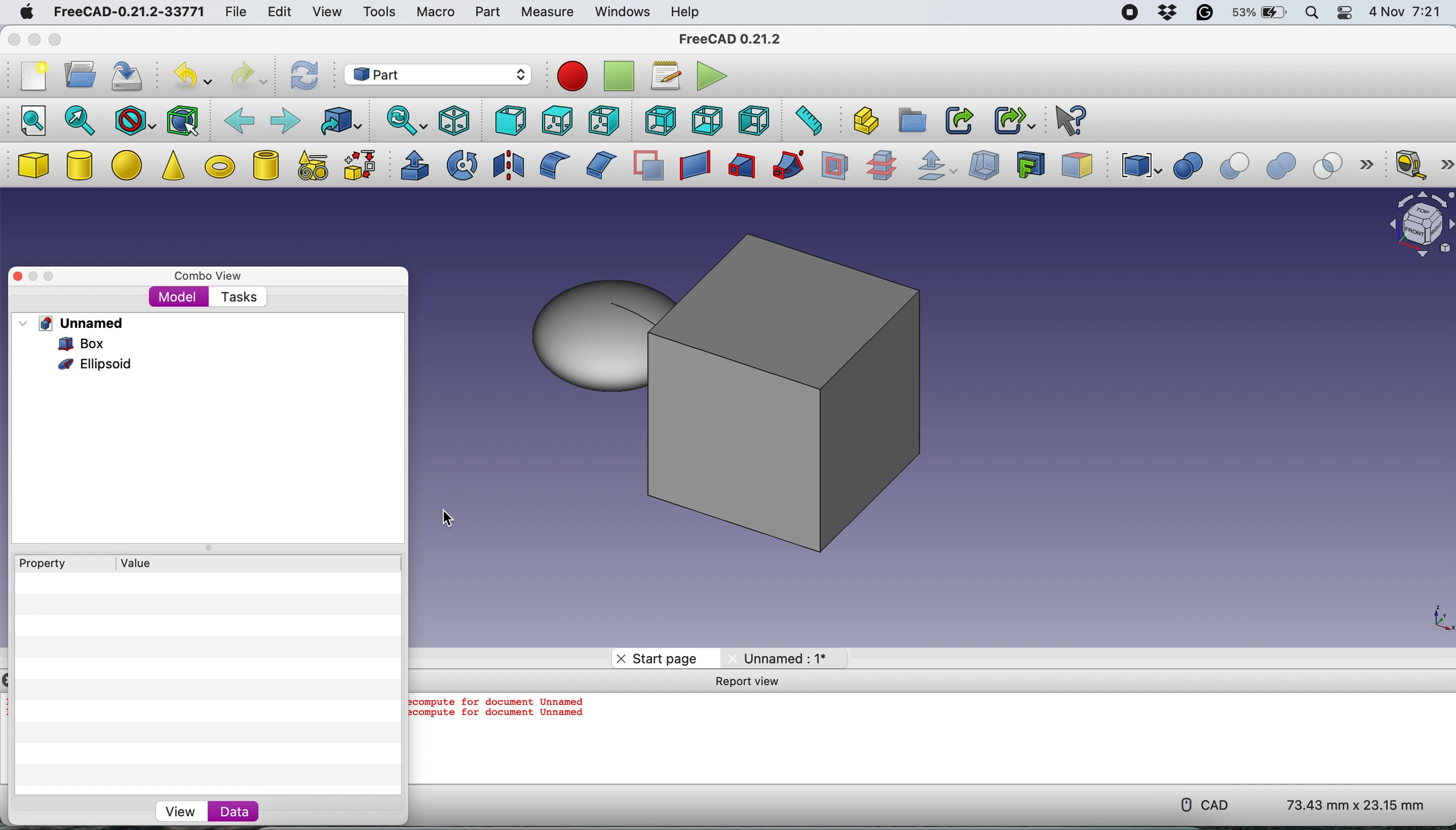 The width and height of the screenshot is (1456, 830). I want to click on What's this?, so click(1068, 119).